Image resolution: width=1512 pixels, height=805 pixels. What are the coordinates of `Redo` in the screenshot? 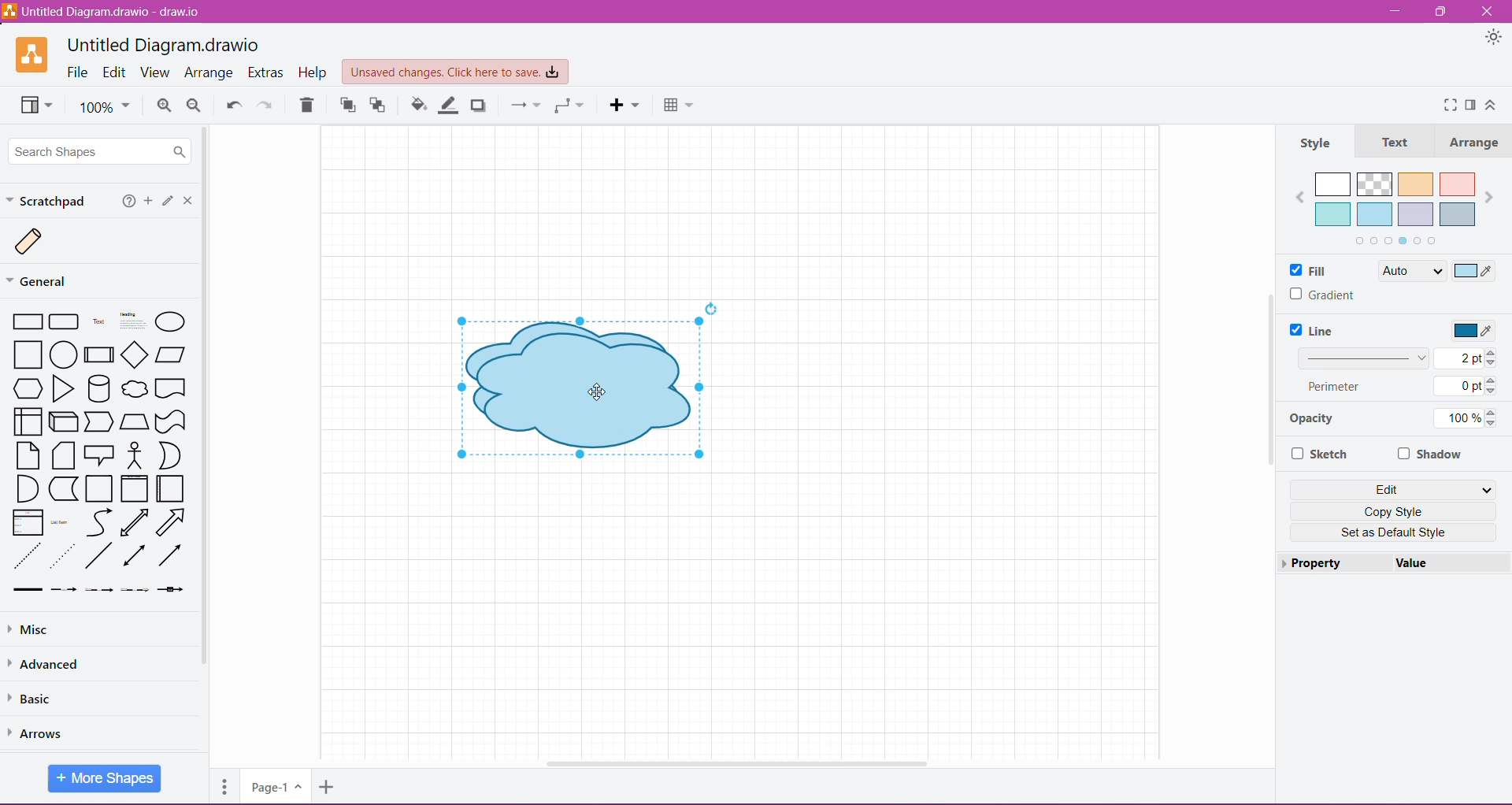 It's located at (269, 106).